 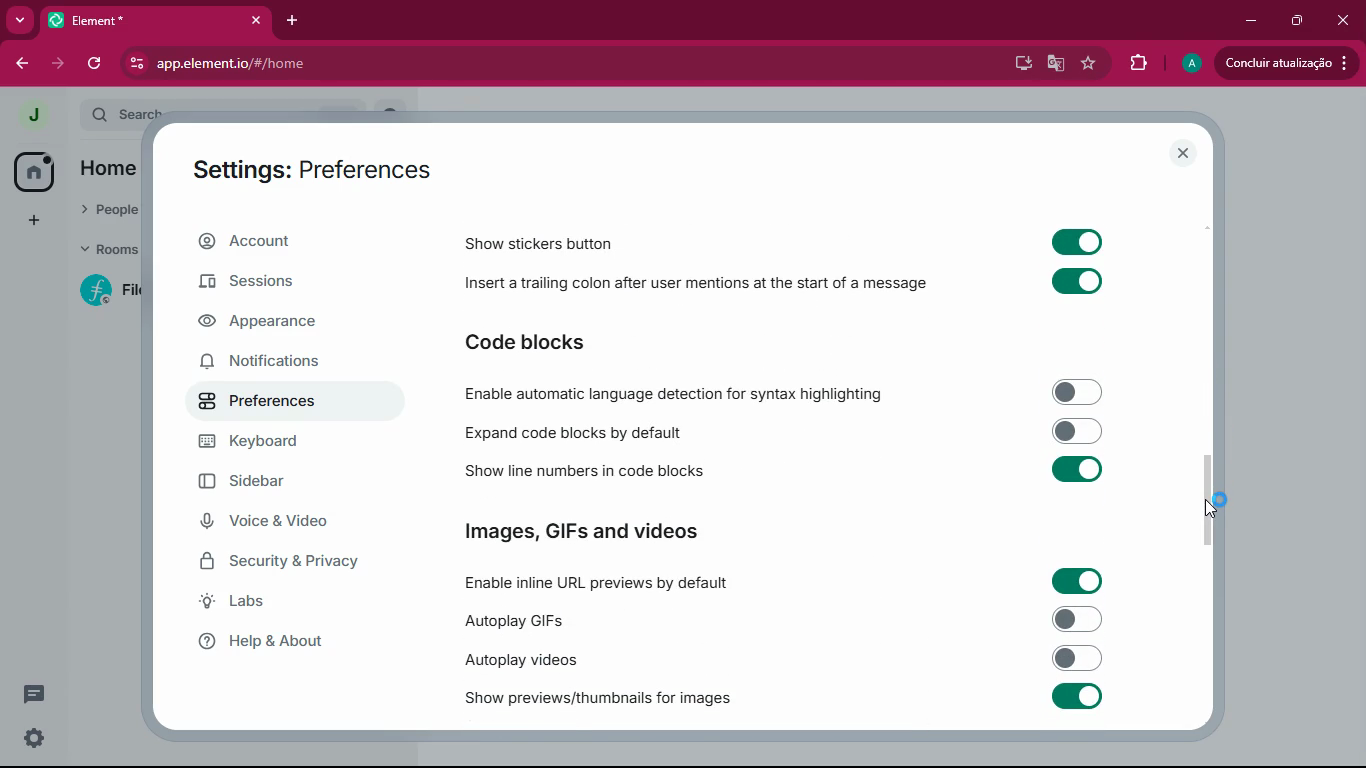 What do you see at coordinates (586, 472) in the screenshot?
I see `Show line numbers in code blocks` at bounding box center [586, 472].